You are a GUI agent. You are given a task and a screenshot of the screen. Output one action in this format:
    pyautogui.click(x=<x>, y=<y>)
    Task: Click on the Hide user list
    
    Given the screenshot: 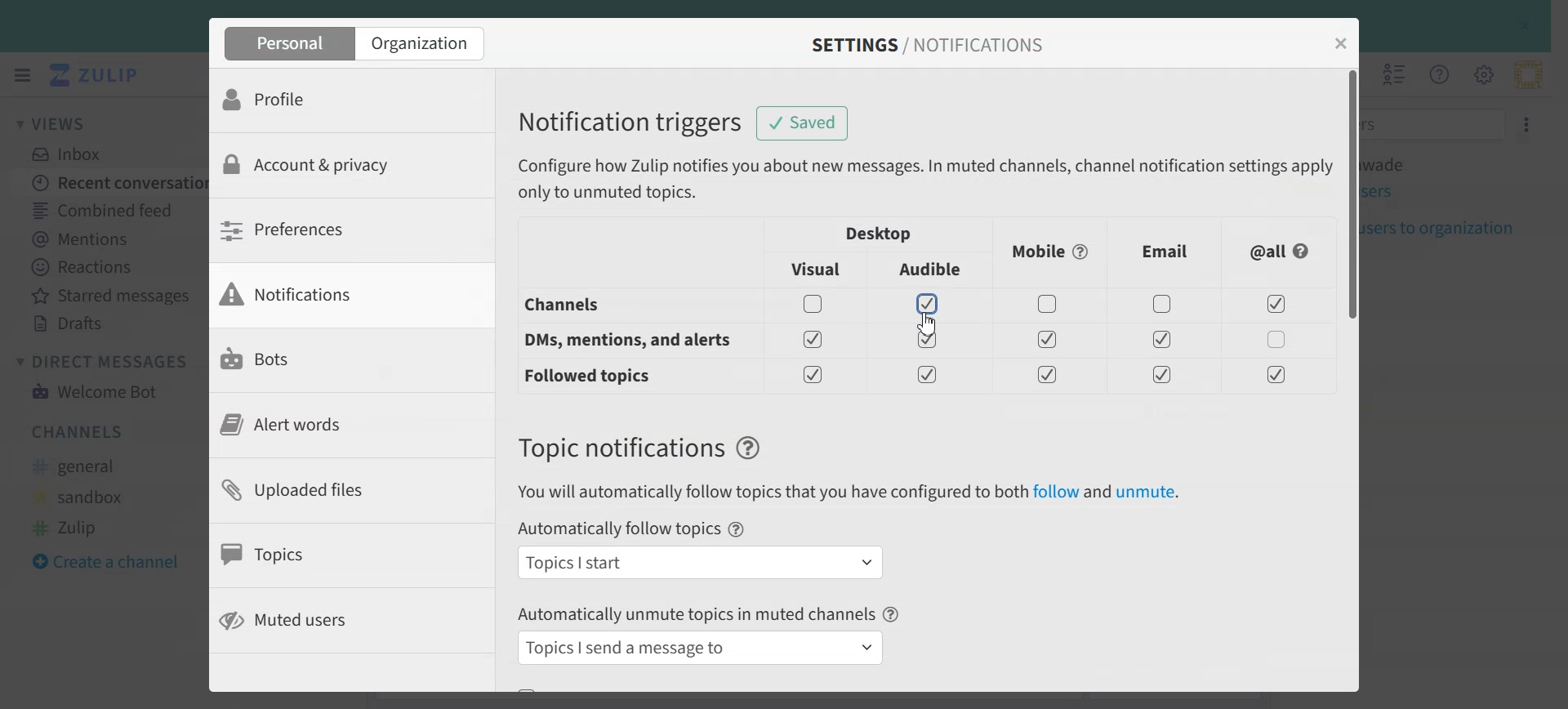 What is the action you would take?
    pyautogui.click(x=1395, y=74)
    